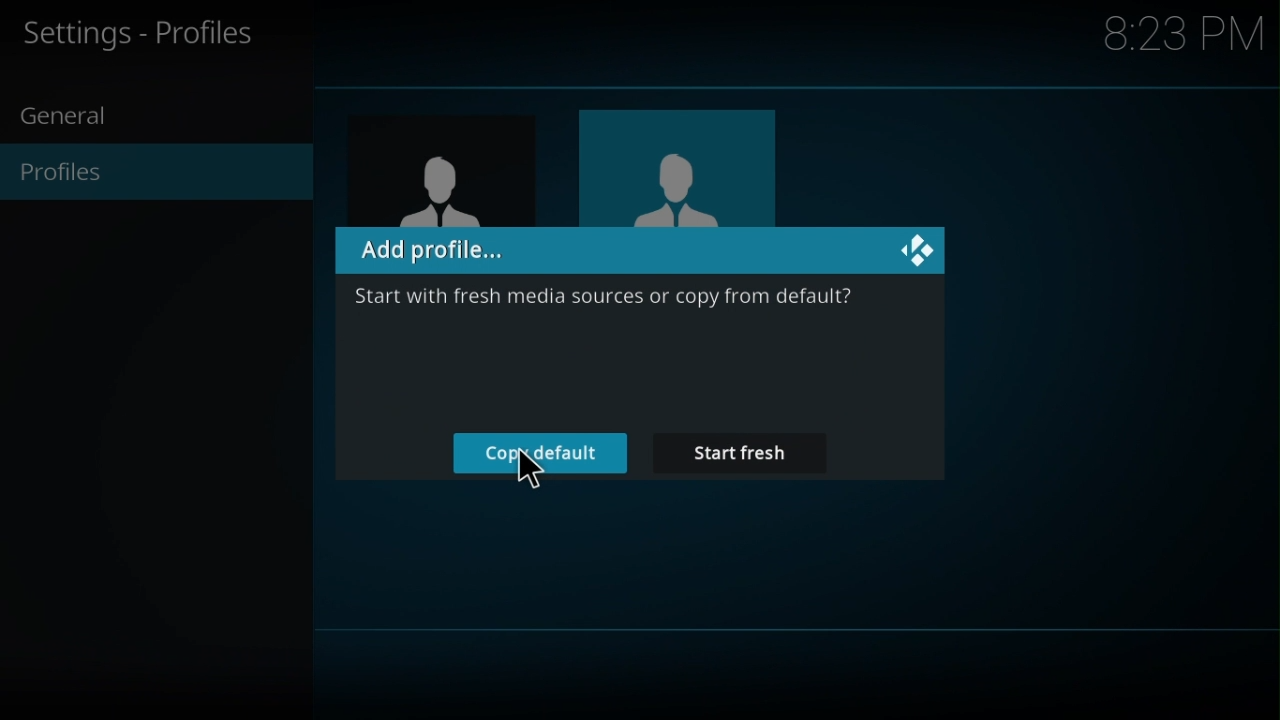 This screenshot has height=720, width=1280. What do you see at coordinates (639, 251) in the screenshot?
I see `add profile` at bounding box center [639, 251].